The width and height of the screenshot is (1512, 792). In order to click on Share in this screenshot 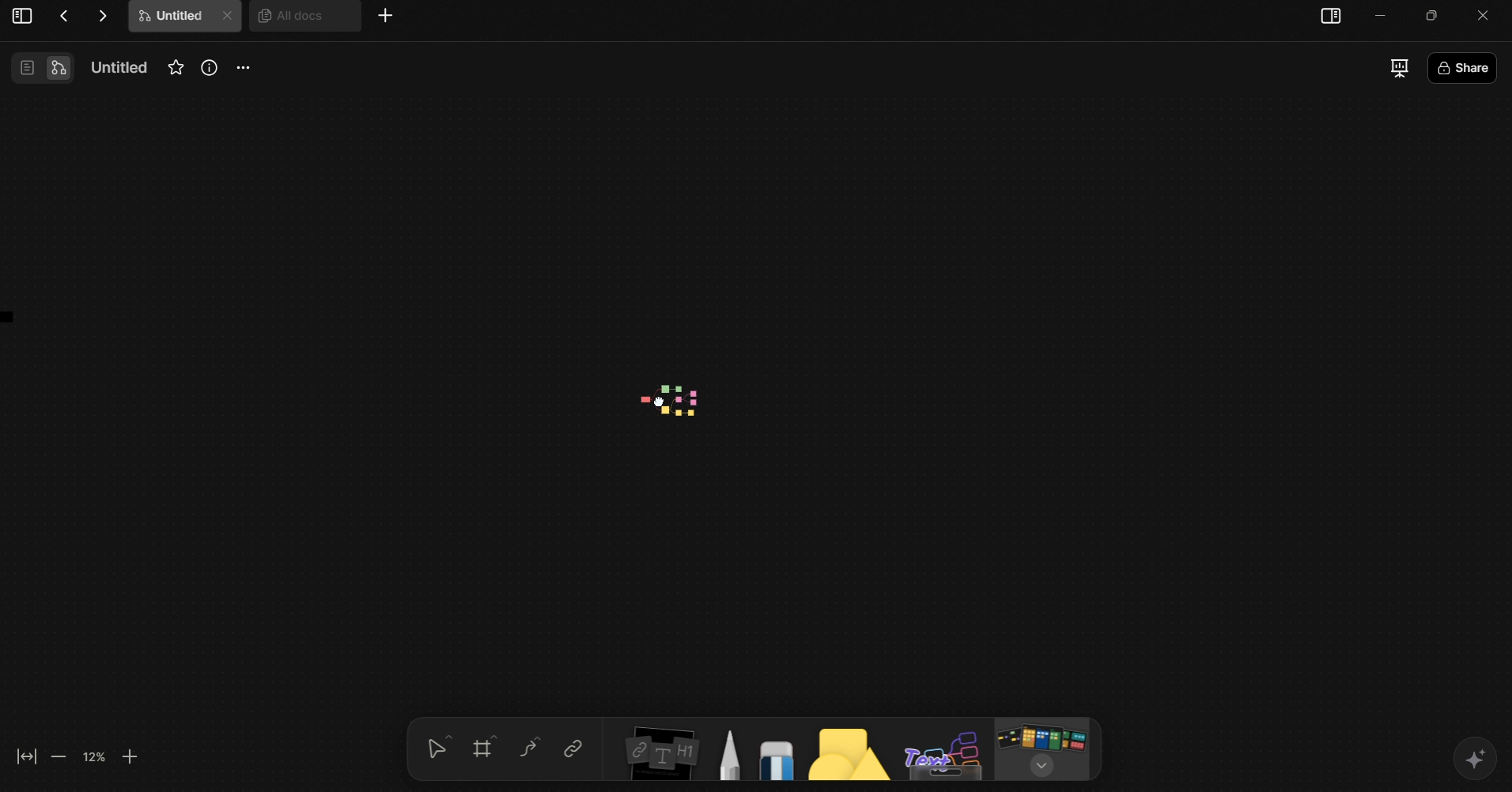, I will do `click(1498, 71)`.